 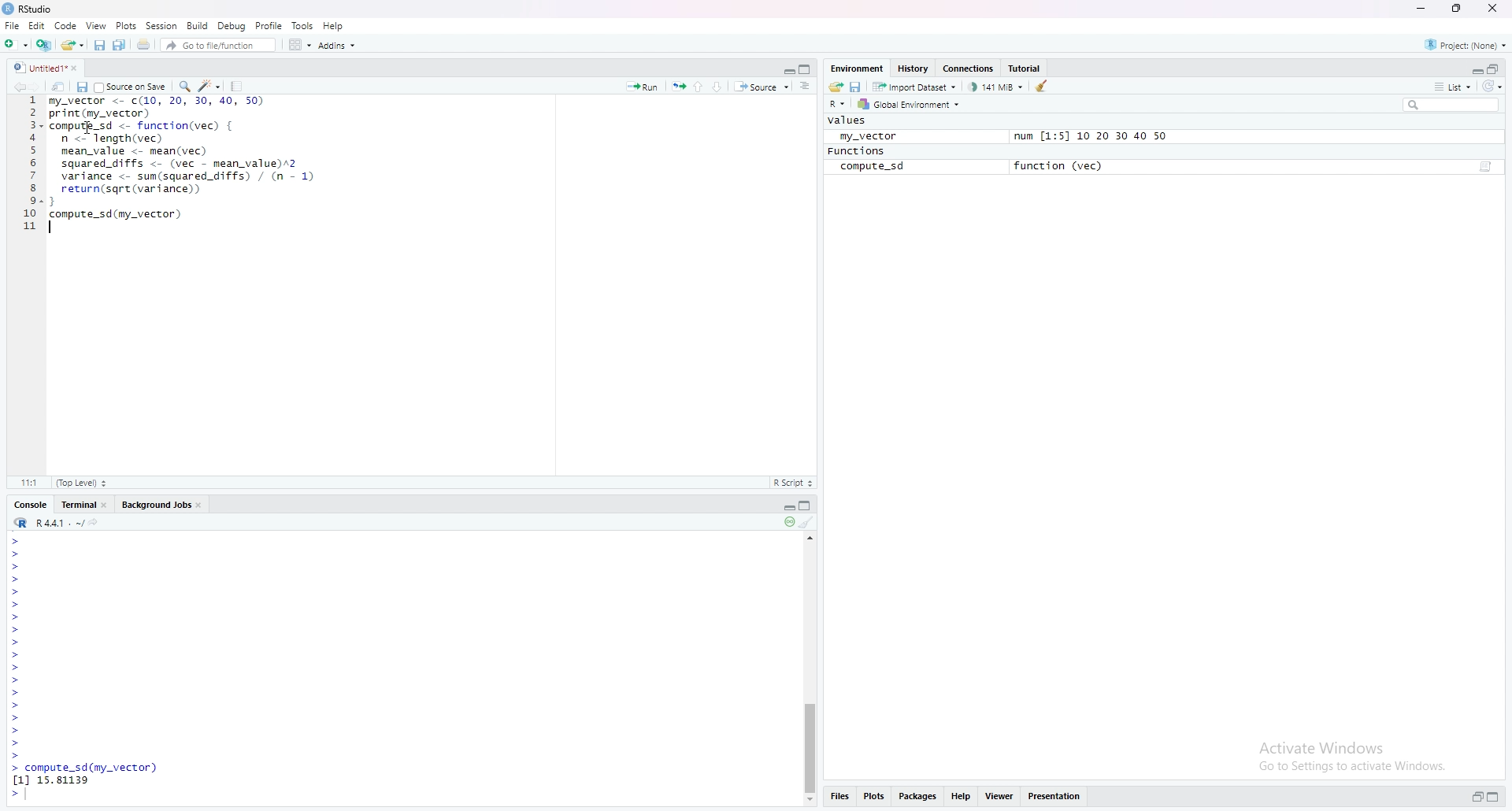 I want to click on List, so click(x=1451, y=86).